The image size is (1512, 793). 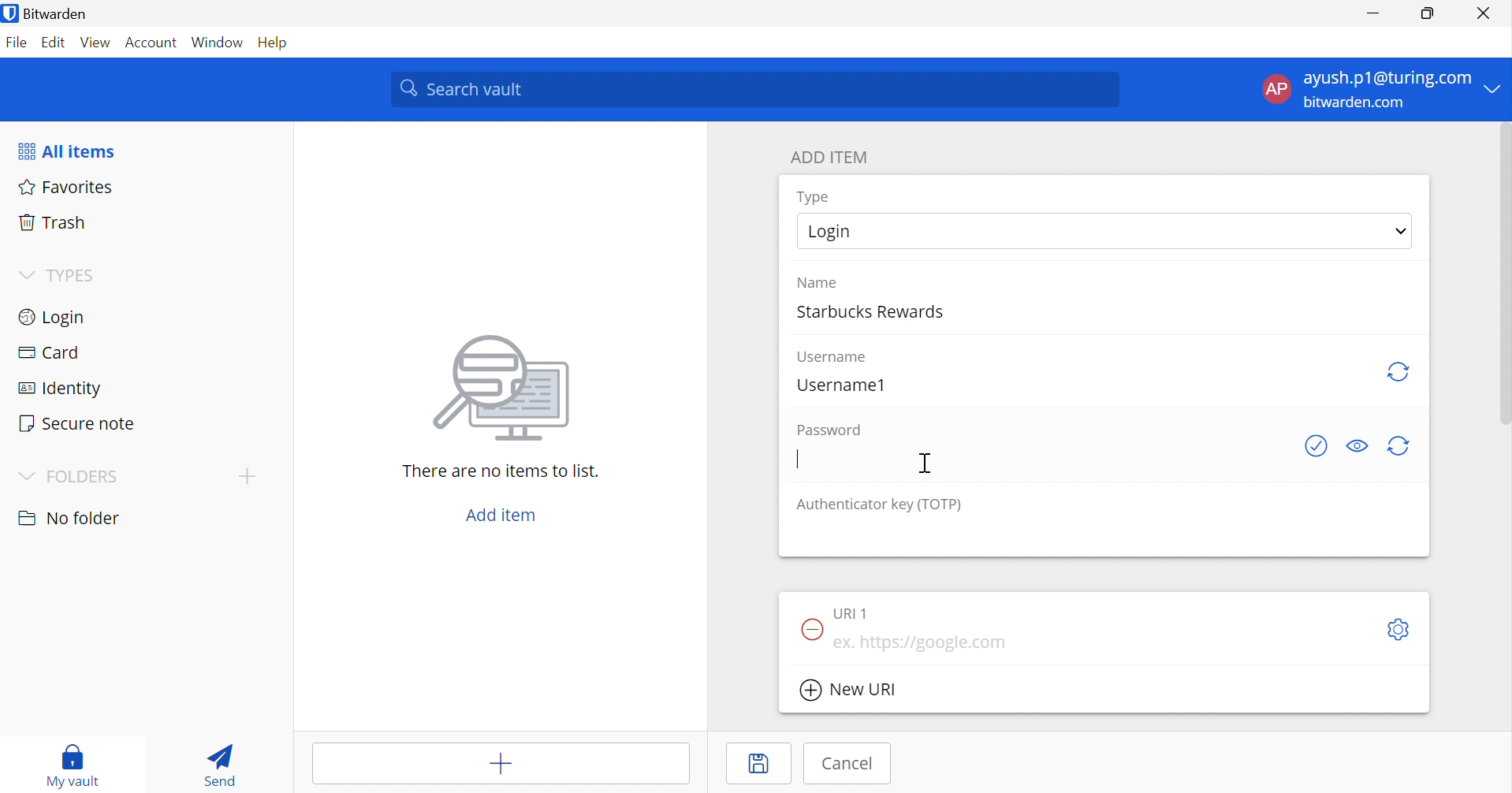 I want to click on There are no items to list., so click(x=502, y=472).